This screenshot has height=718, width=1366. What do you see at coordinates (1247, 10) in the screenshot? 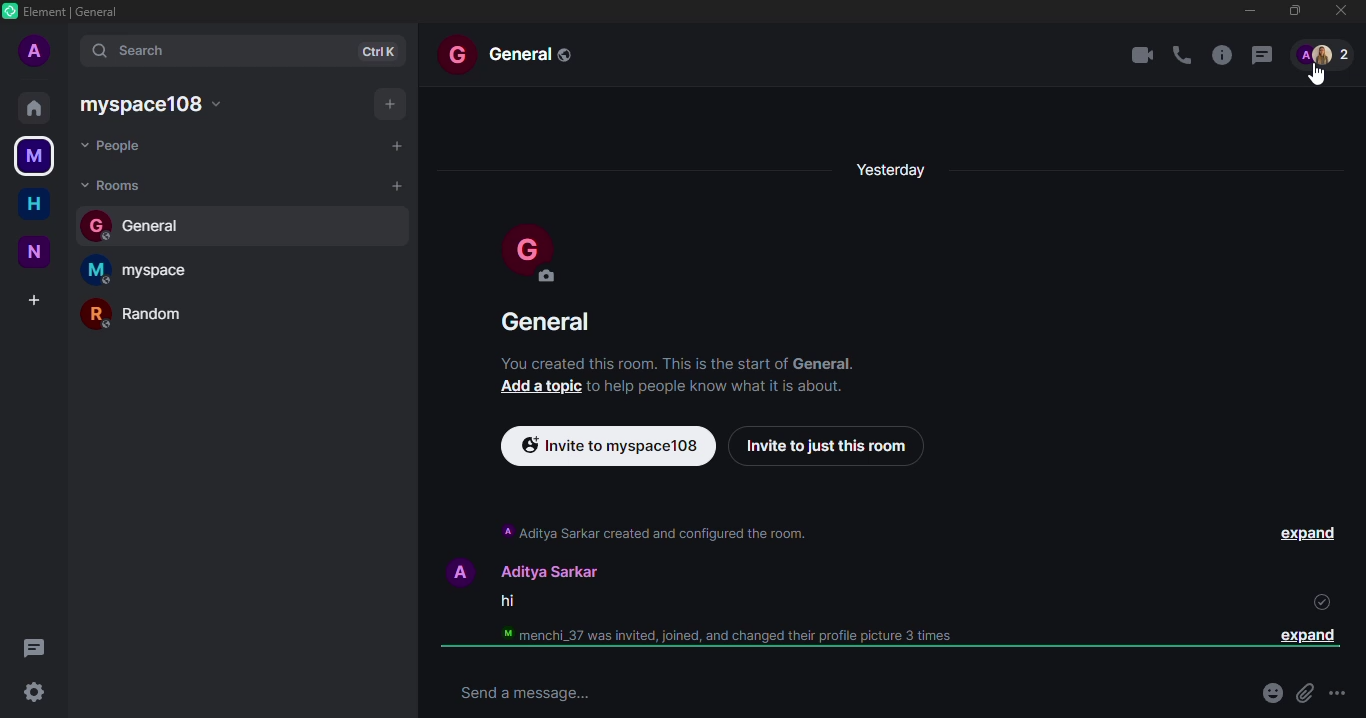
I see `minimize` at bounding box center [1247, 10].